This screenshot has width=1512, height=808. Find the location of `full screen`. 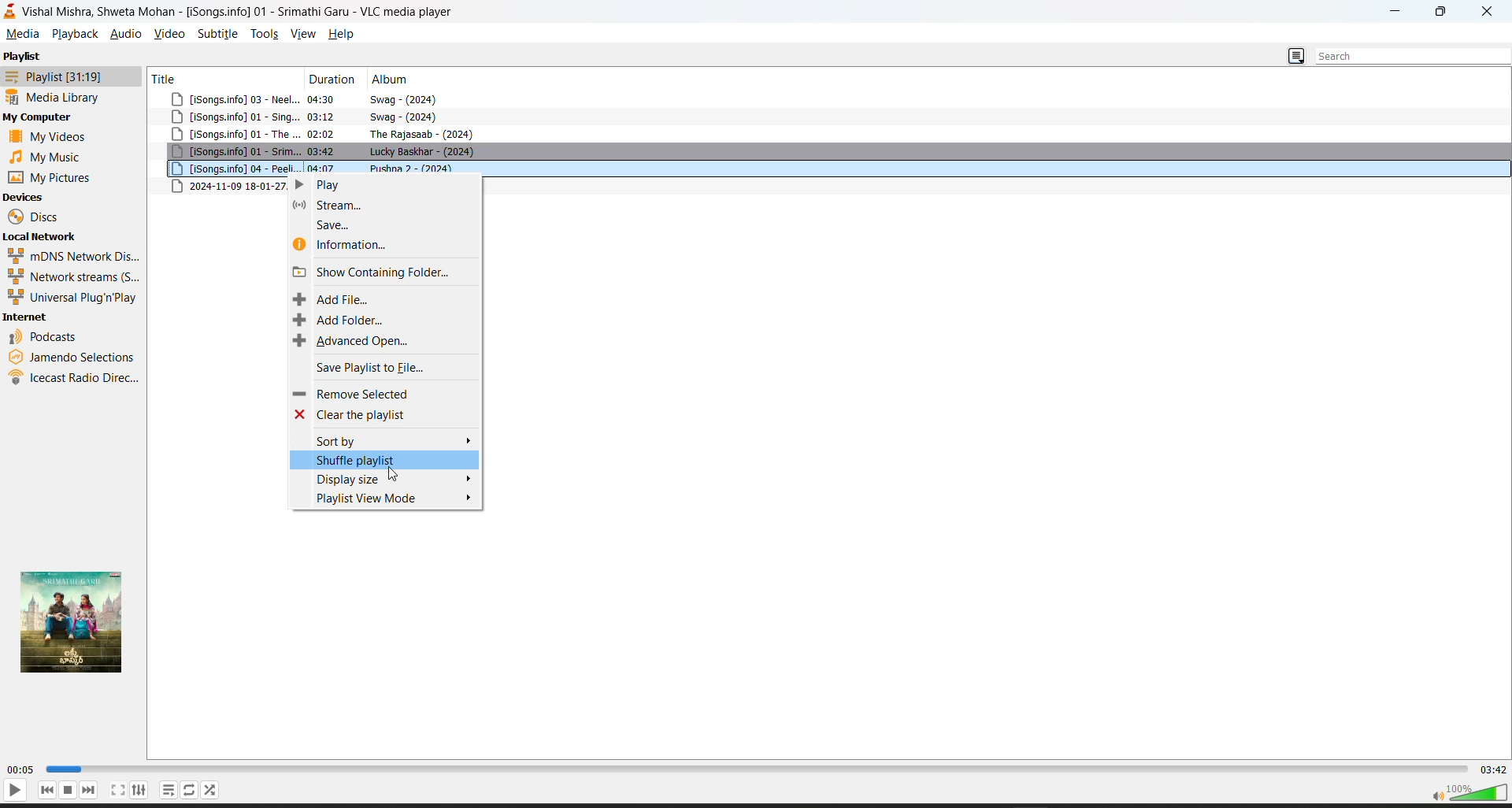

full screen is located at coordinates (116, 789).